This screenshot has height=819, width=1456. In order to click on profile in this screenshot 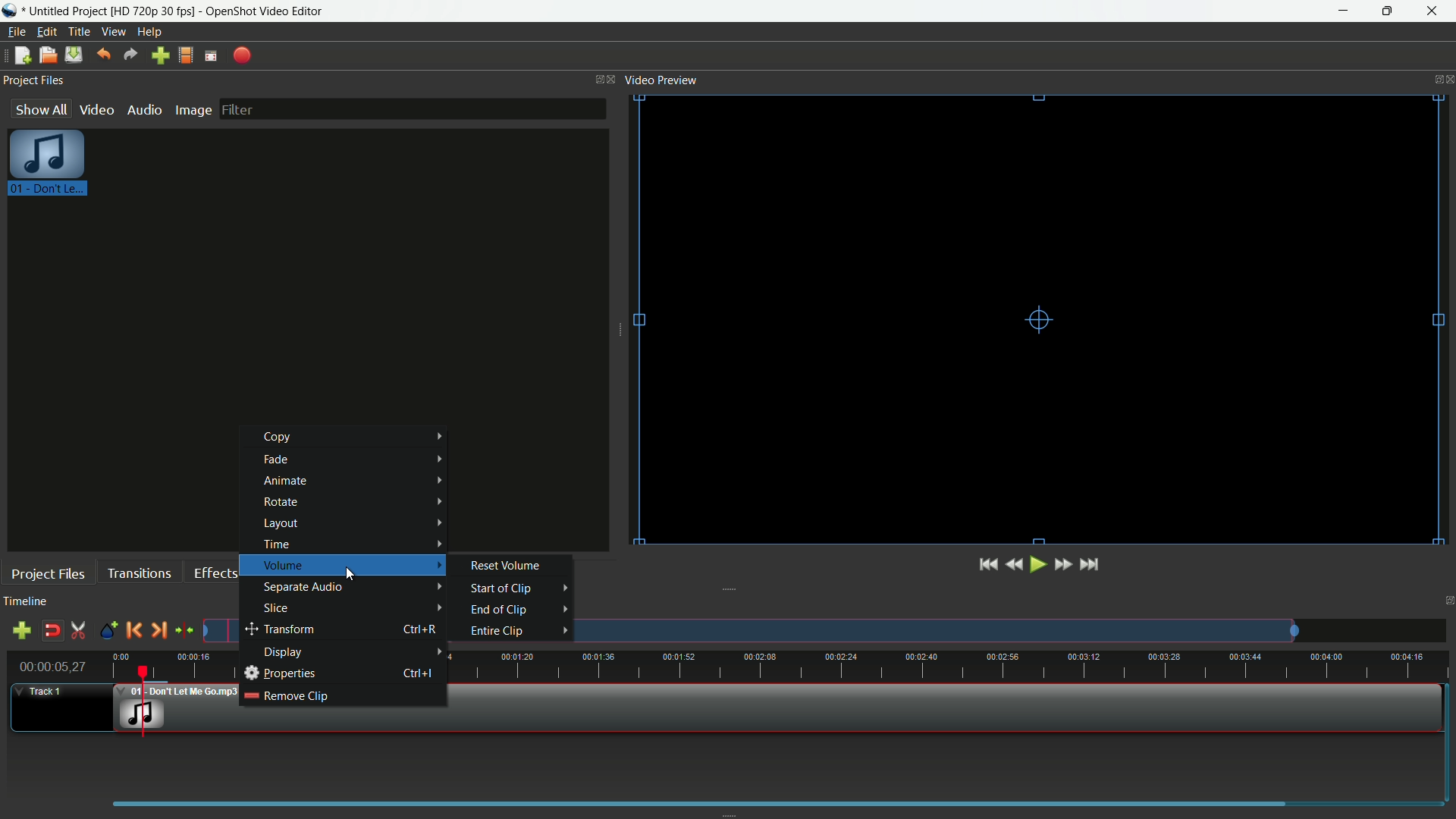, I will do `click(187, 56)`.